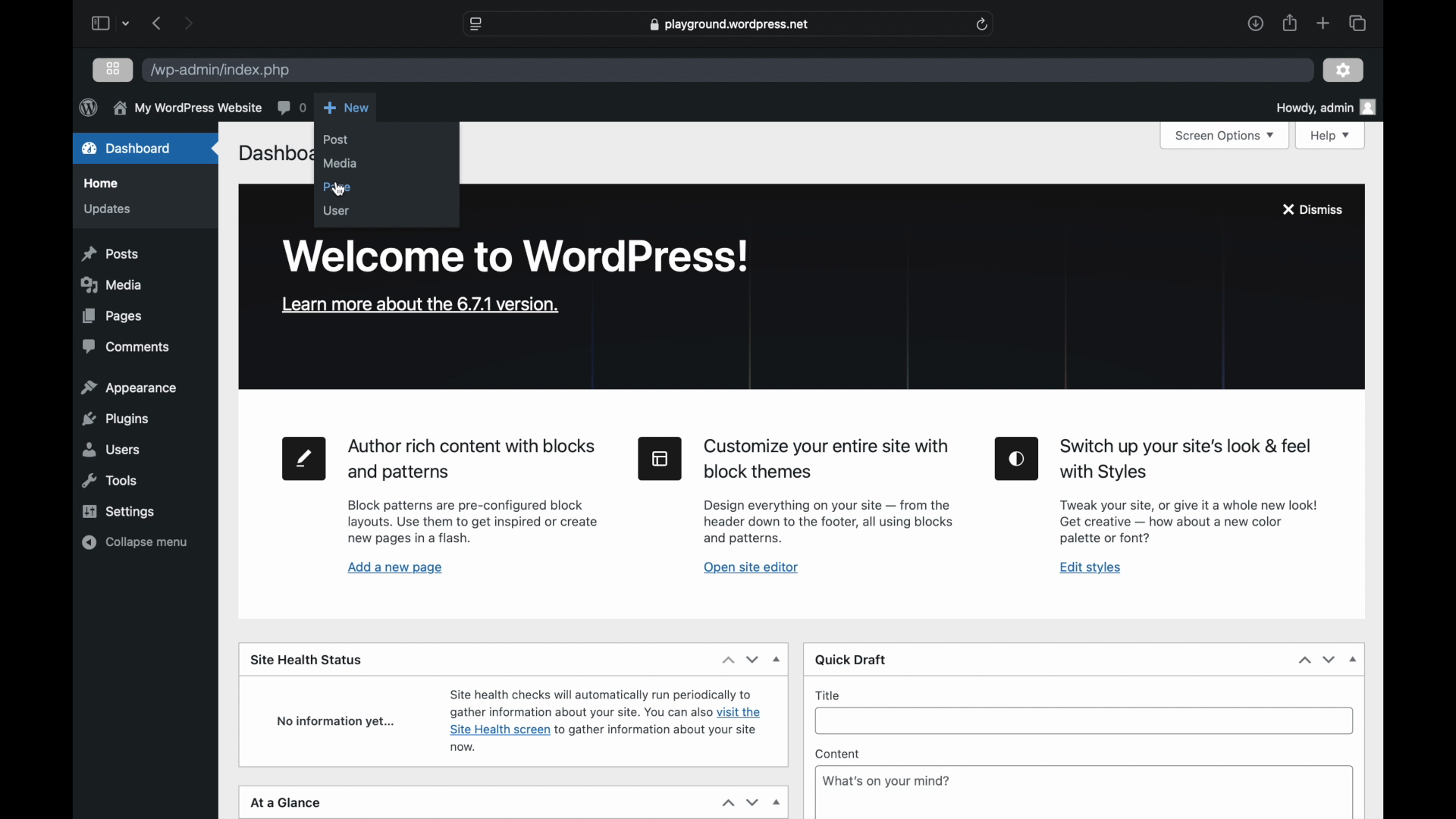  What do you see at coordinates (88, 108) in the screenshot?
I see `wordpress` at bounding box center [88, 108].